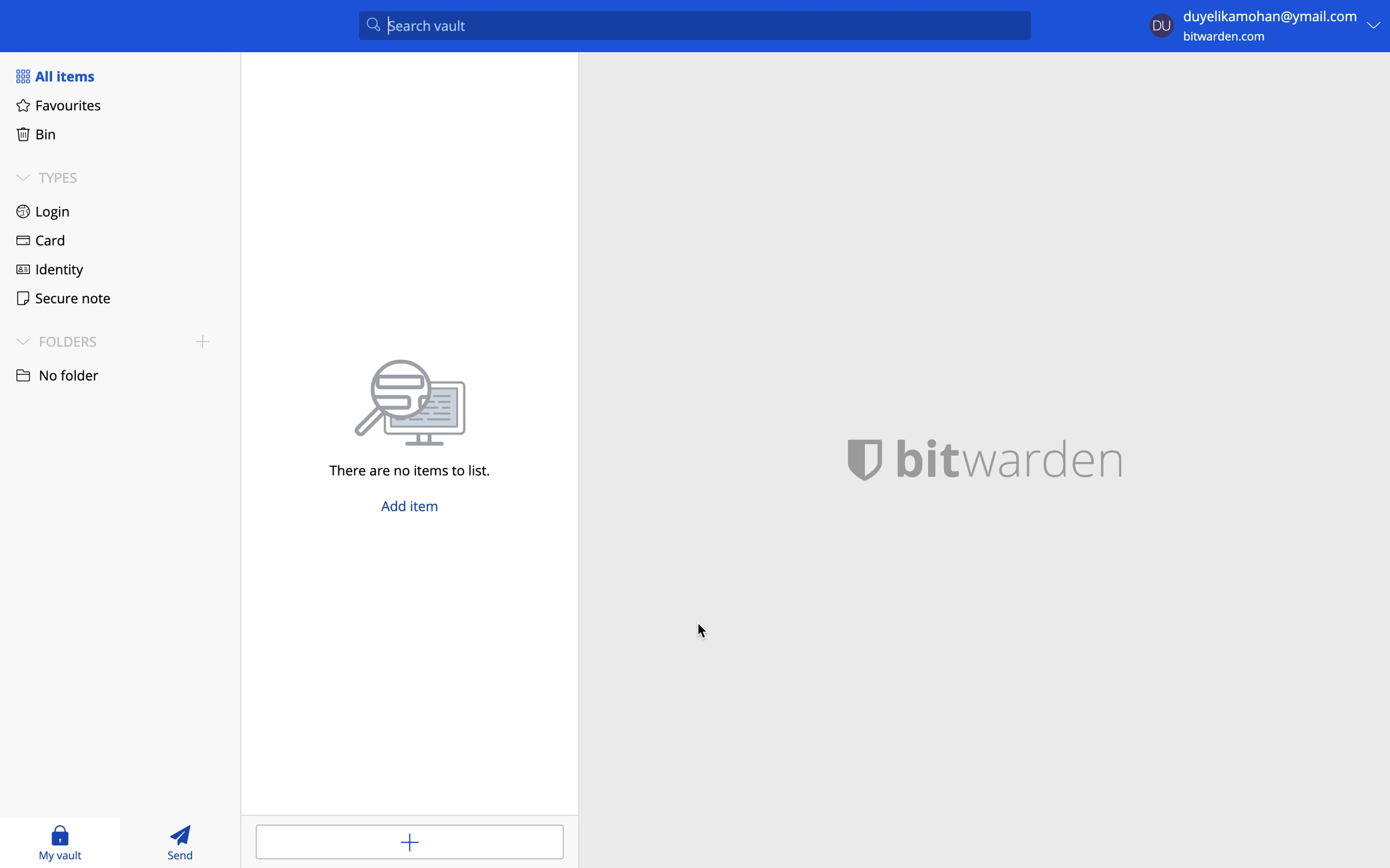 The height and width of the screenshot is (868, 1390). I want to click on login, so click(49, 211).